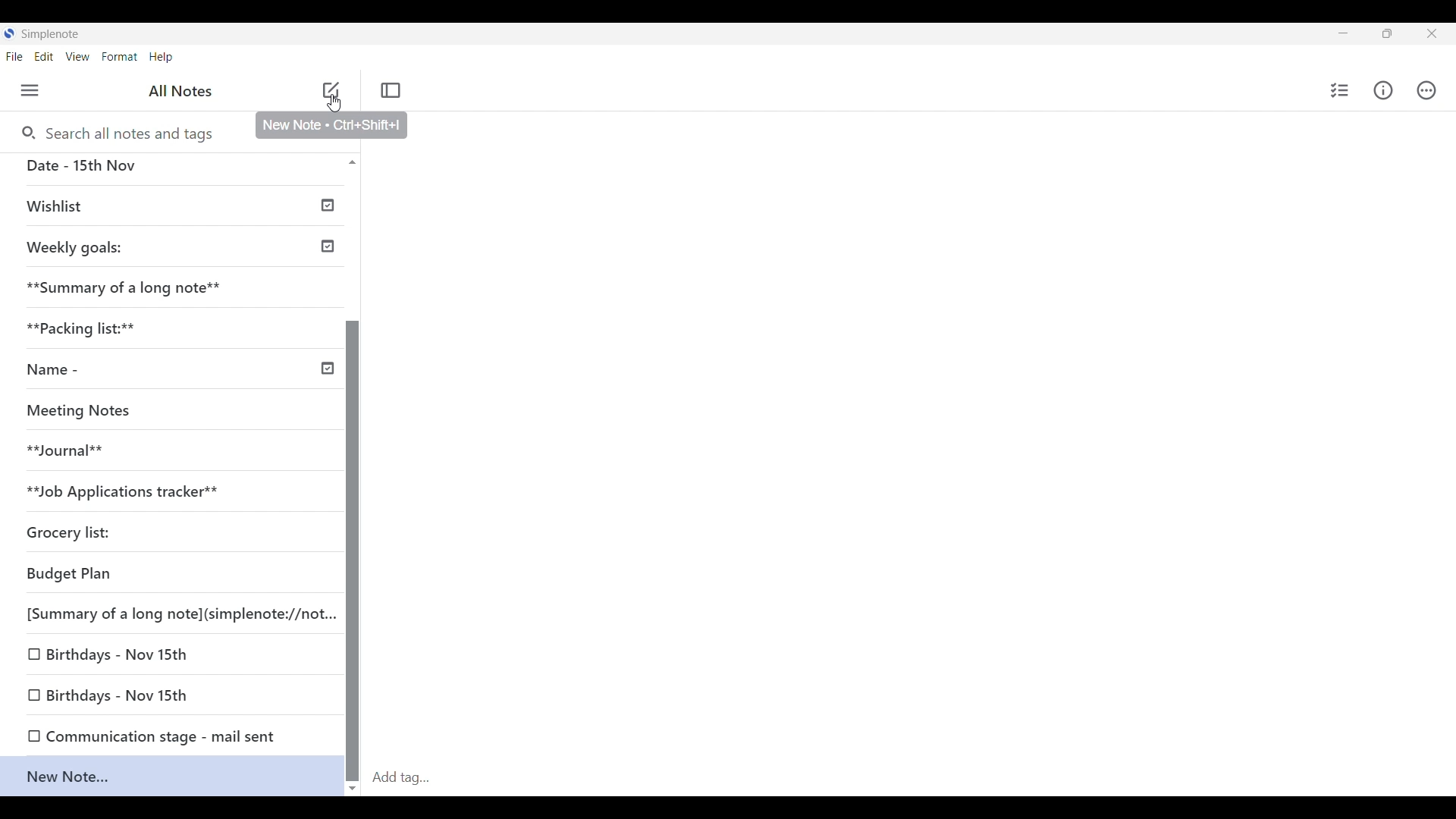 The image size is (1456, 819). What do you see at coordinates (171, 776) in the screenshot?
I see `Current note highlighted` at bounding box center [171, 776].